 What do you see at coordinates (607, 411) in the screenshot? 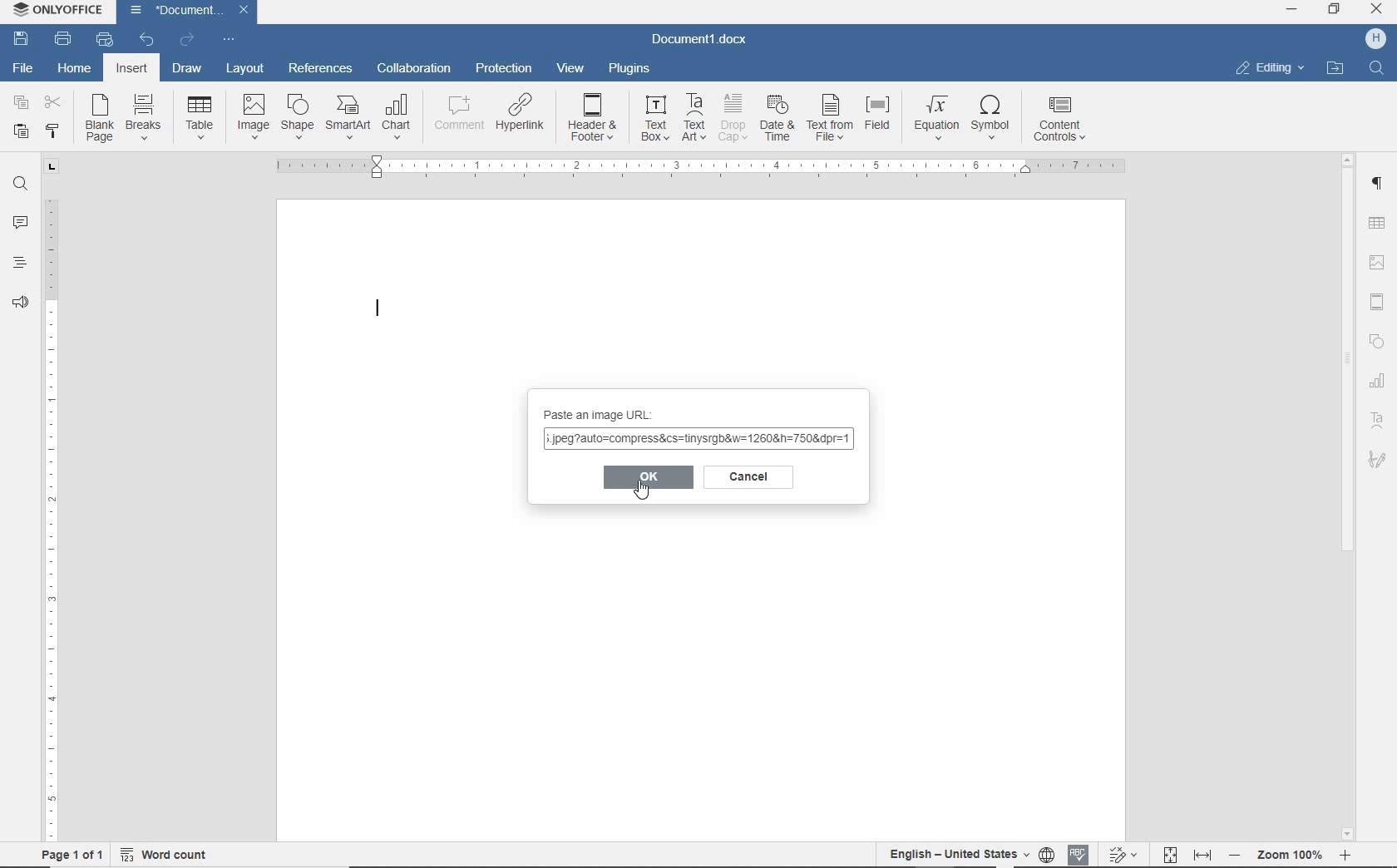
I see `paste an image URL` at bounding box center [607, 411].